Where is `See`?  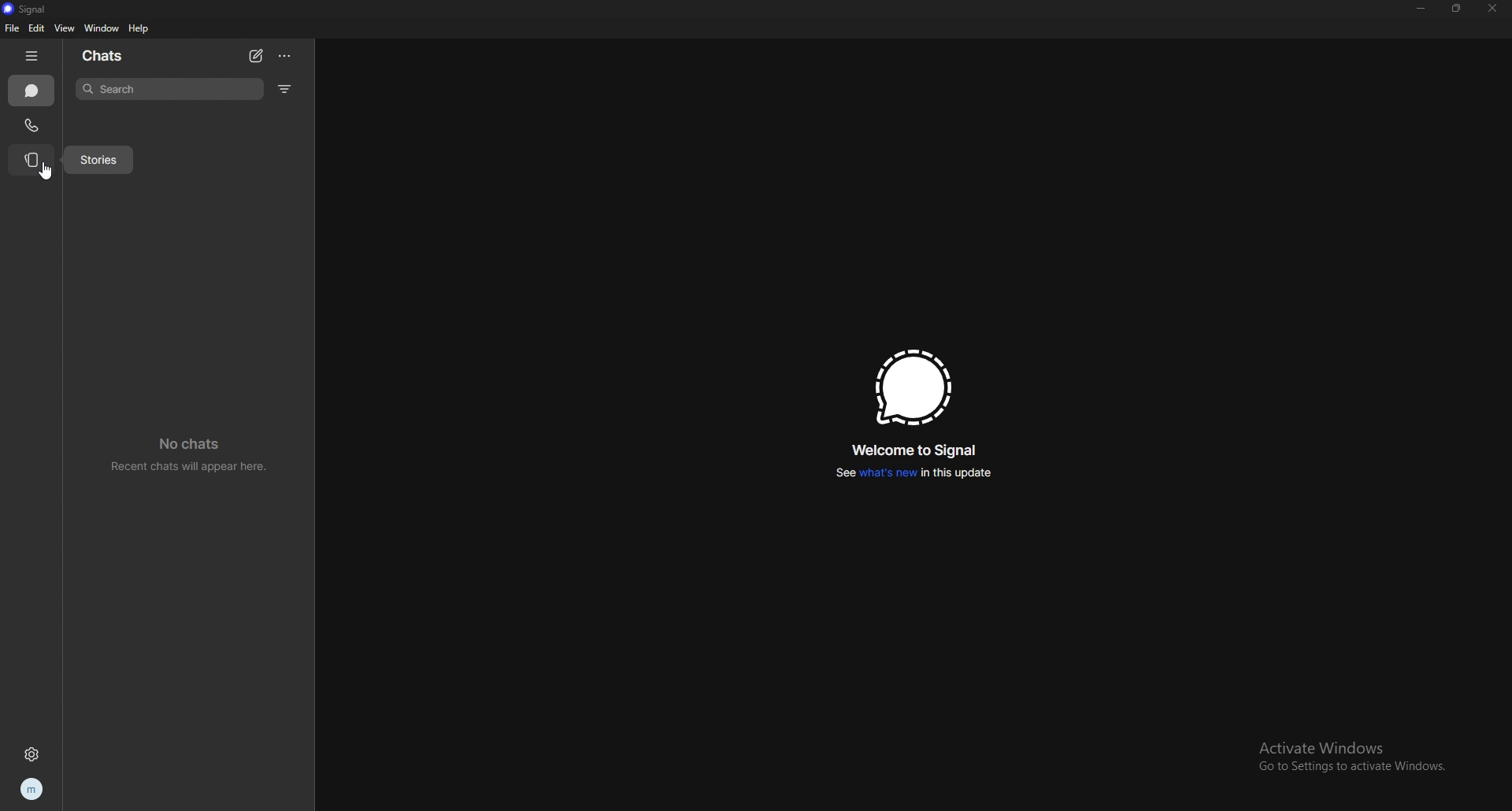
See is located at coordinates (839, 475).